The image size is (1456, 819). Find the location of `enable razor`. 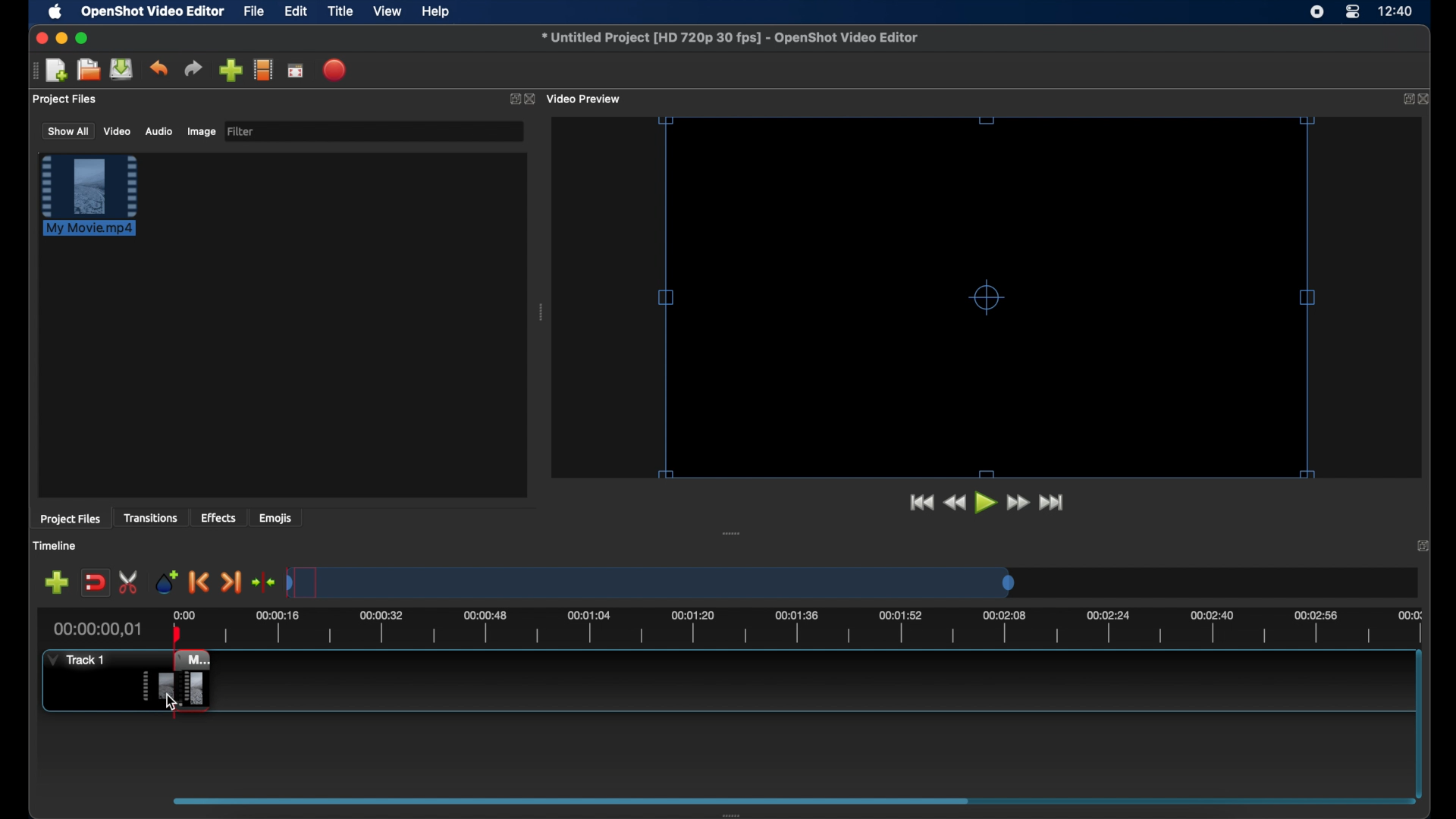

enable razor is located at coordinates (130, 581).